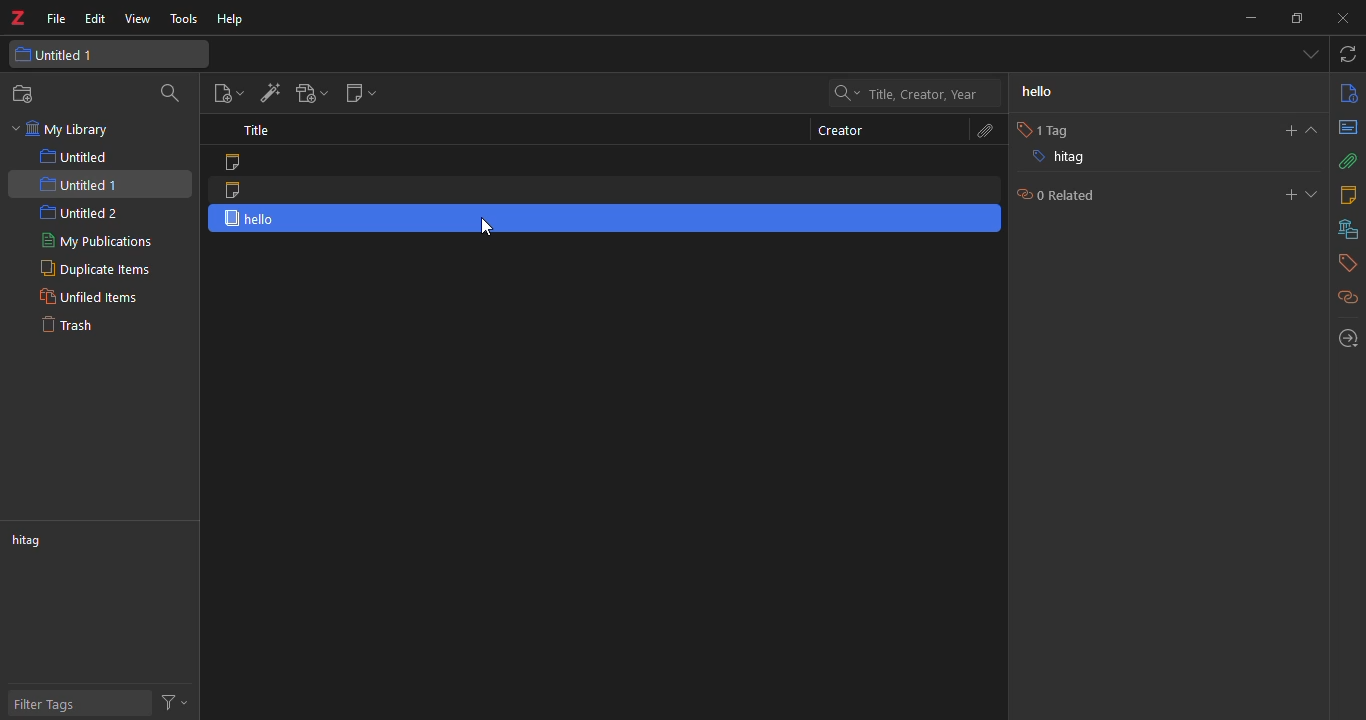 The height and width of the screenshot is (720, 1366). What do you see at coordinates (977, 133) in the screenshot?
I see `attach` at bounding box center [977, 133].